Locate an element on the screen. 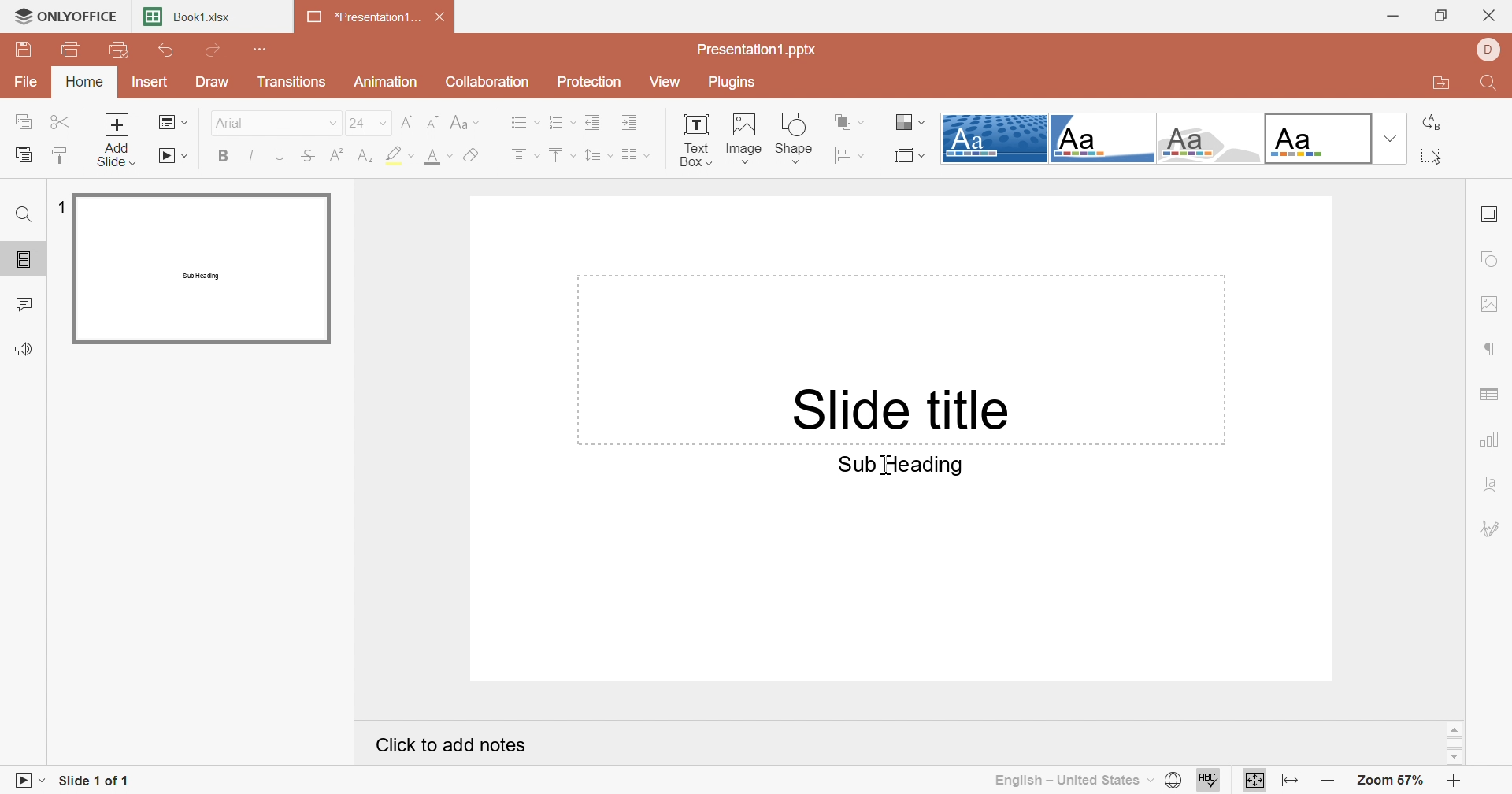 The image size is (1512, 794). Numbering is located at coordinates (561, 121).